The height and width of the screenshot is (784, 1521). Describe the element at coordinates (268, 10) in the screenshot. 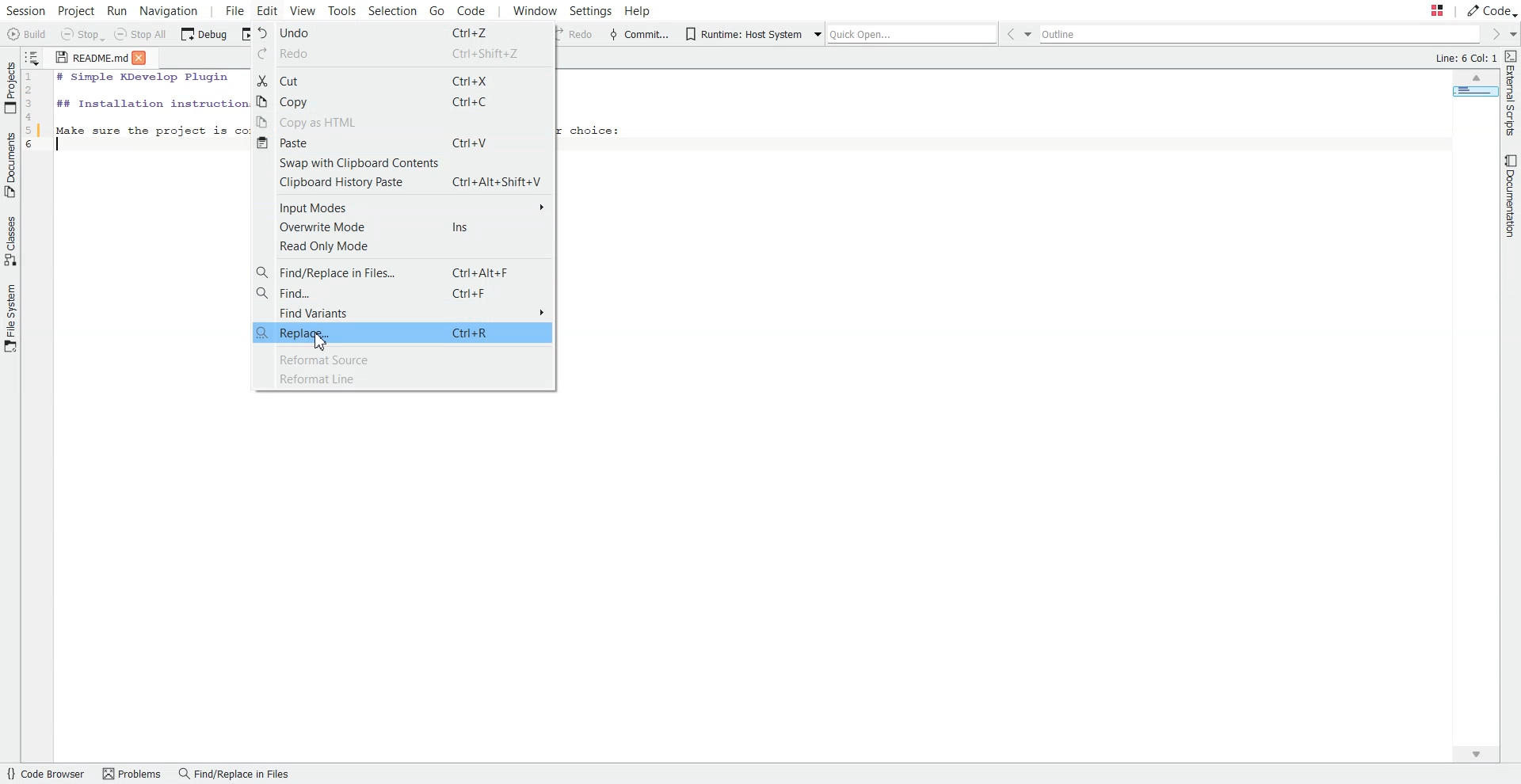

I see `Edit` at that location.